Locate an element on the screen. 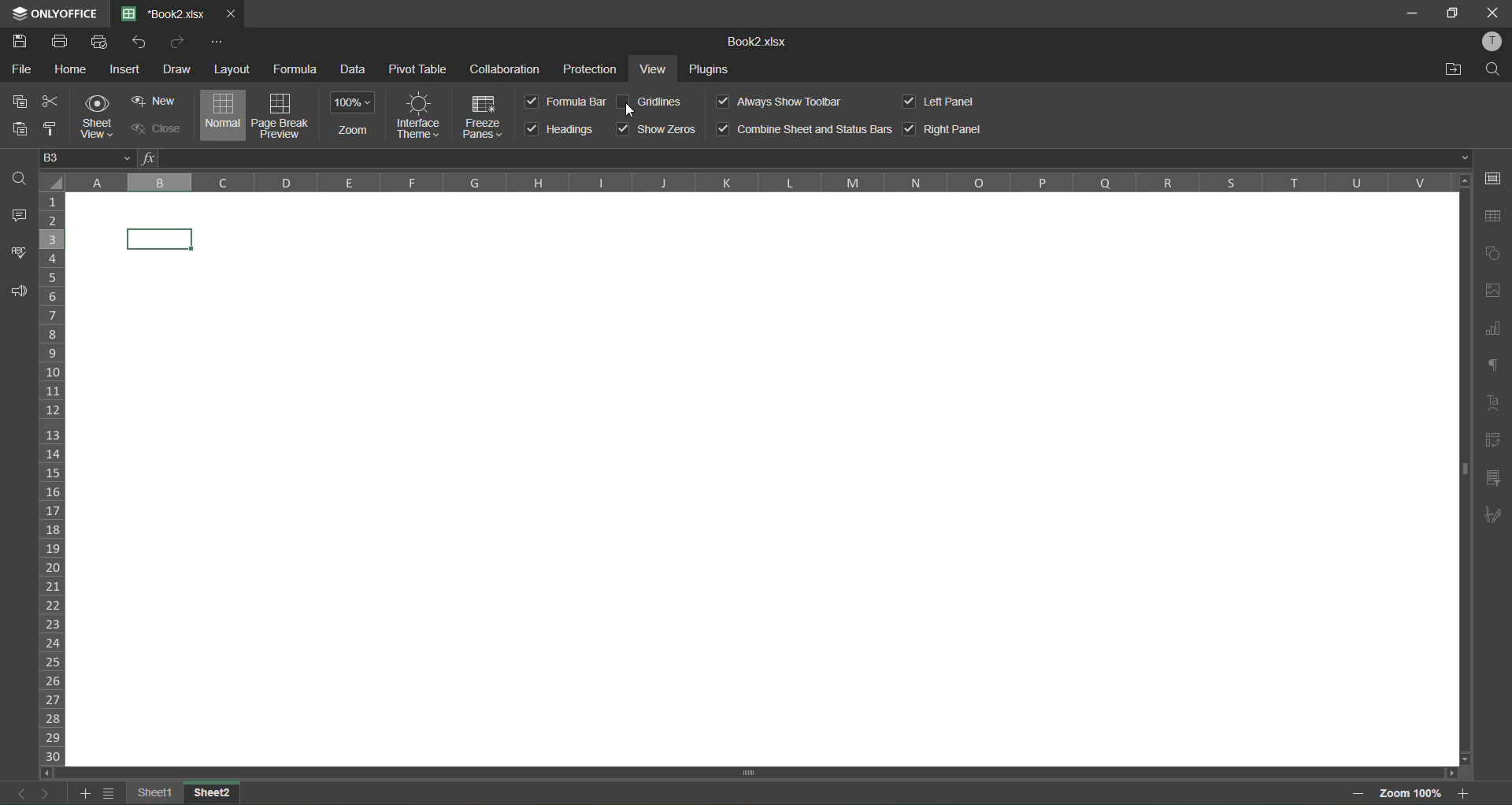  copy is located at coordinates (15, 102).